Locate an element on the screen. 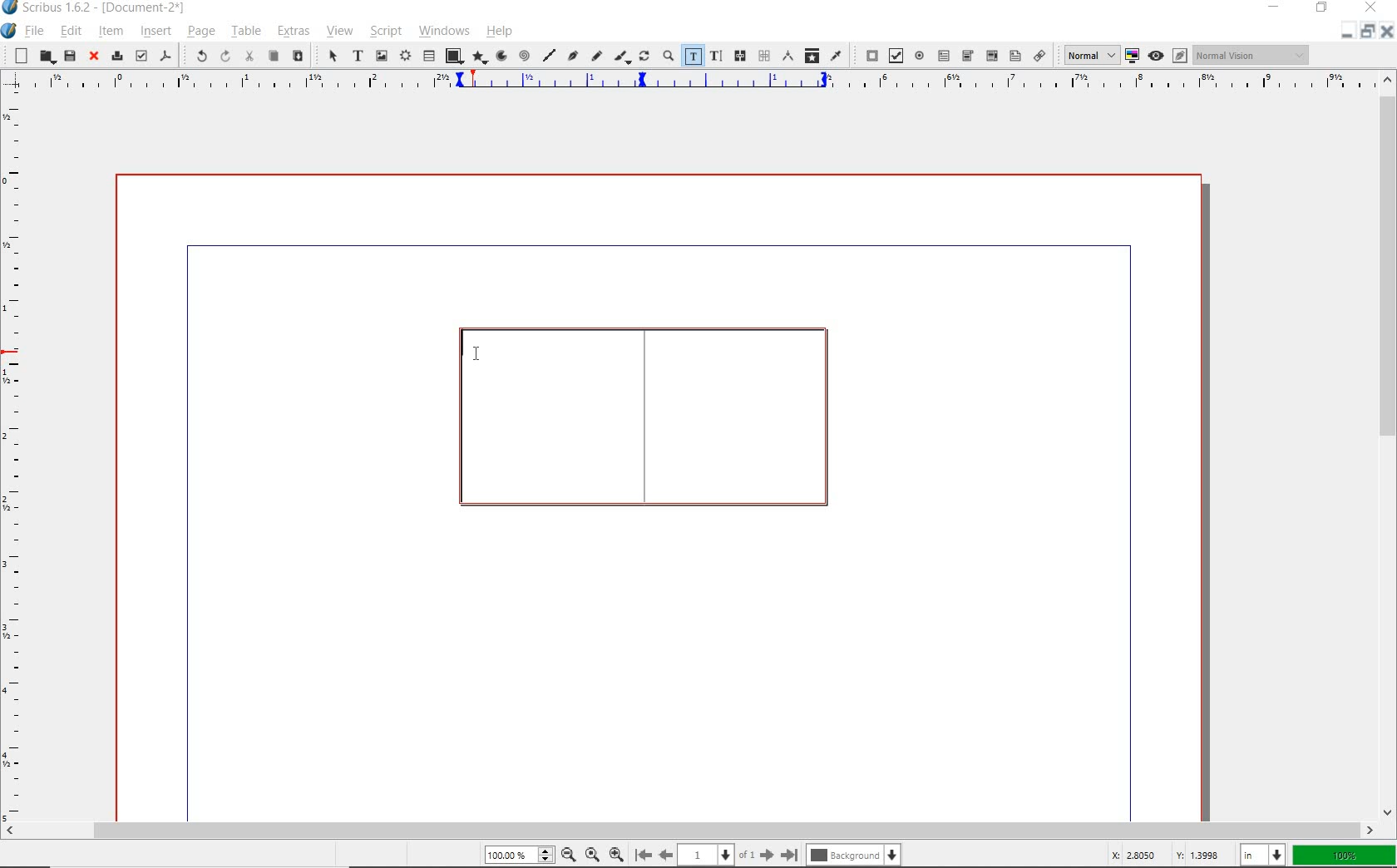 The height and width of the screenshot is (868, 1397). go to first page is located at coordinates (644, 855).